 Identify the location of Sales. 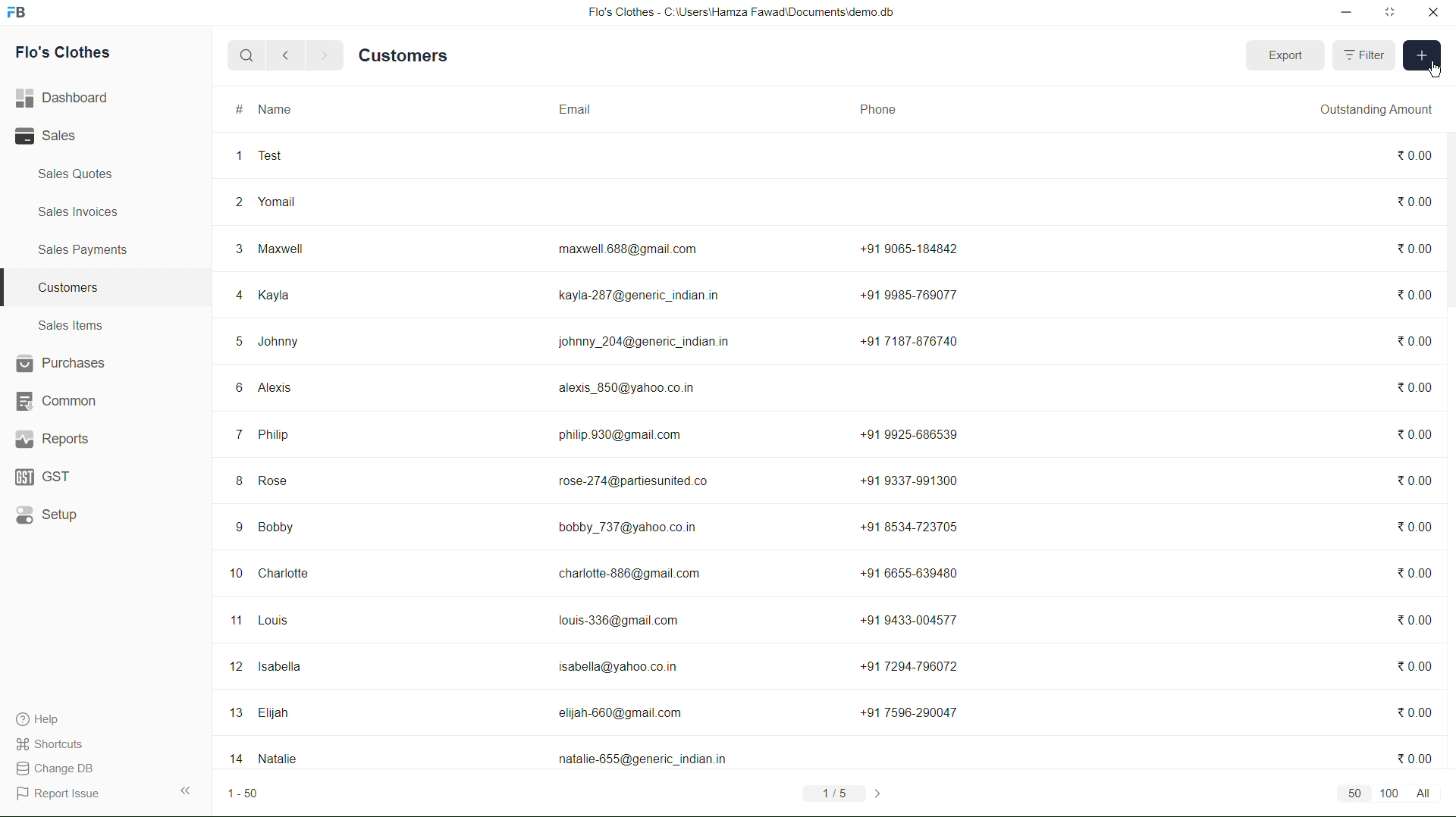
(53, 137).